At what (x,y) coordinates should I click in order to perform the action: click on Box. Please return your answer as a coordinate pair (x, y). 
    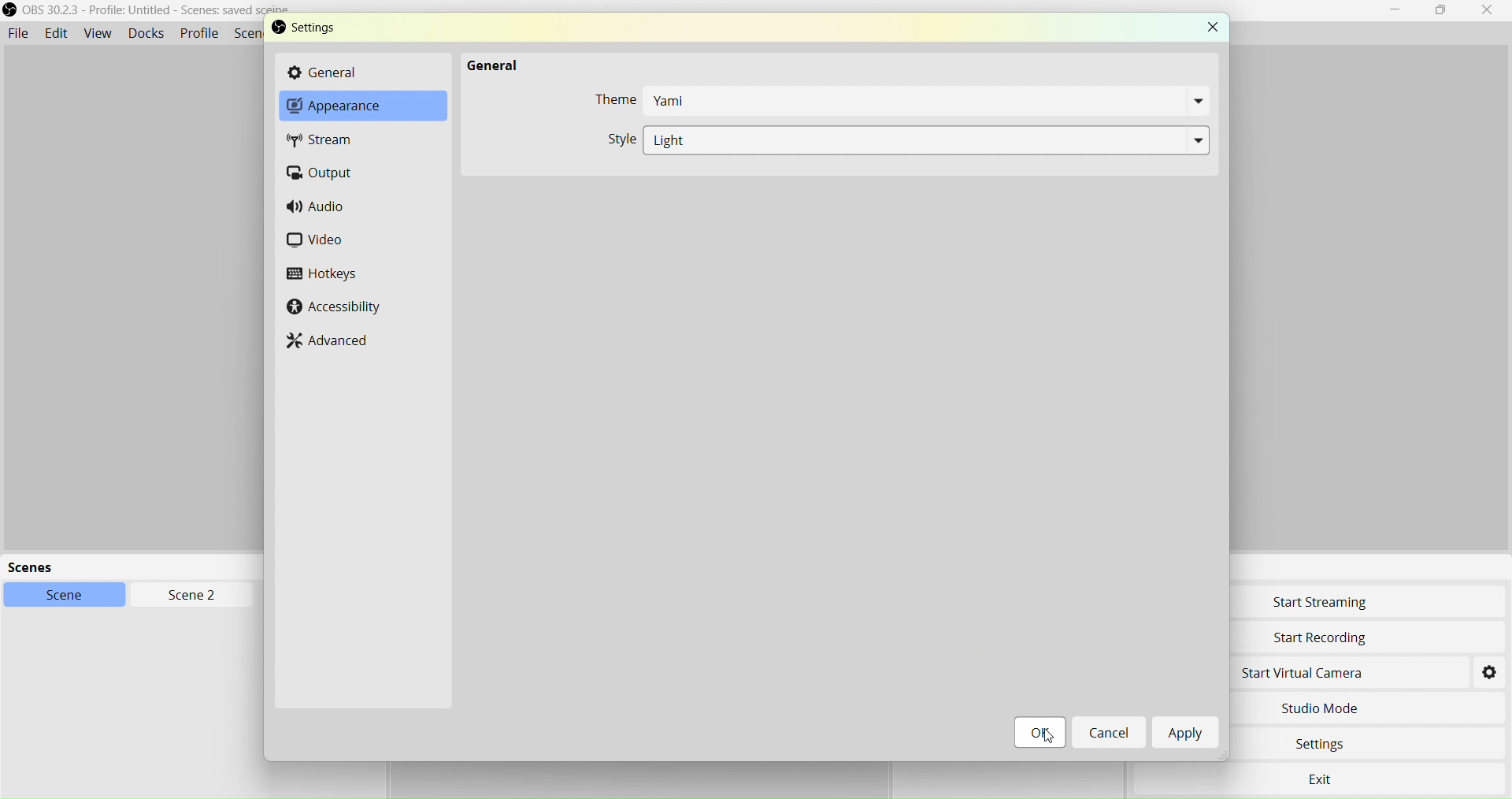
    Looking at the image, I should click on (1443, 11).